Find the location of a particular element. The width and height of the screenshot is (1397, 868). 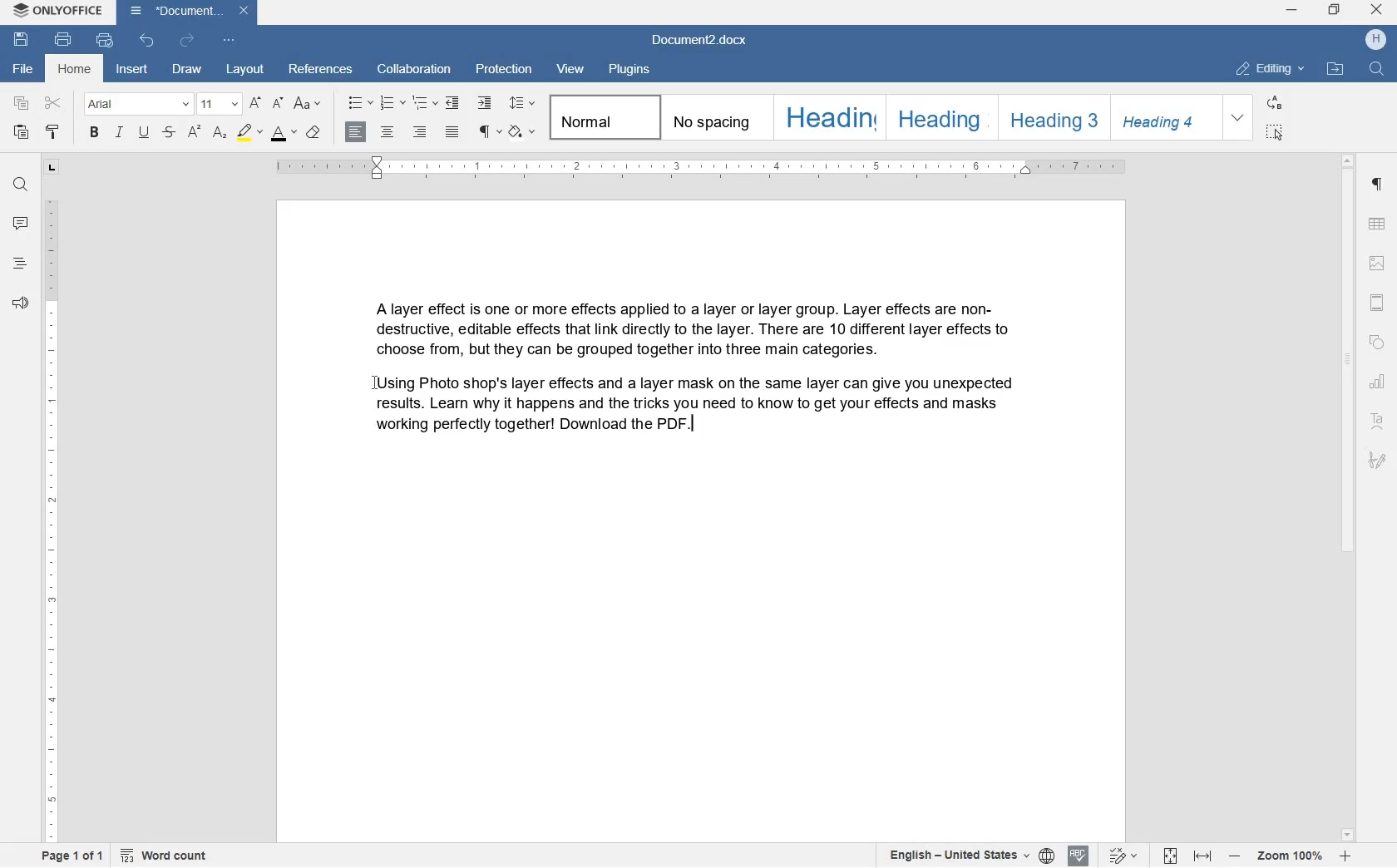

LAYOUT is located at coordinates (245, 67).